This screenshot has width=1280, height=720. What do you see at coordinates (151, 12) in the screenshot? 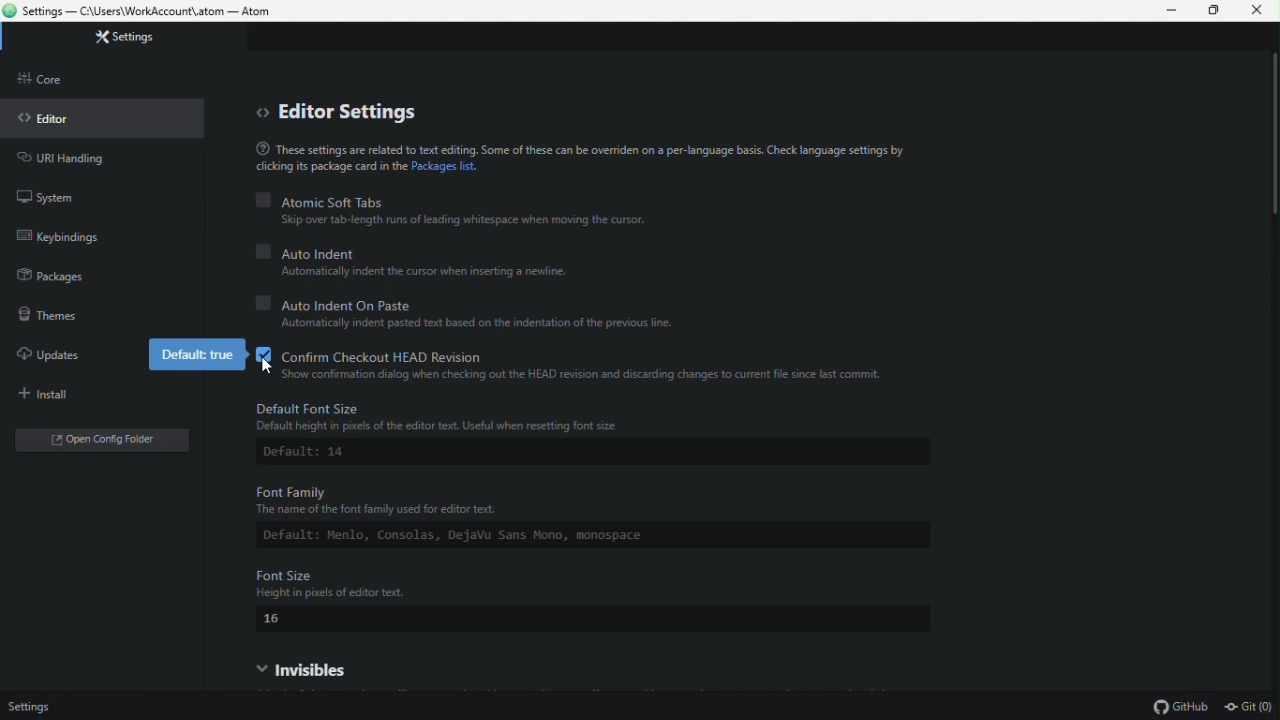
I see ` Settings — C:\Users\WorkAccount\.atom — Atom` at bounding box center [151, 12].